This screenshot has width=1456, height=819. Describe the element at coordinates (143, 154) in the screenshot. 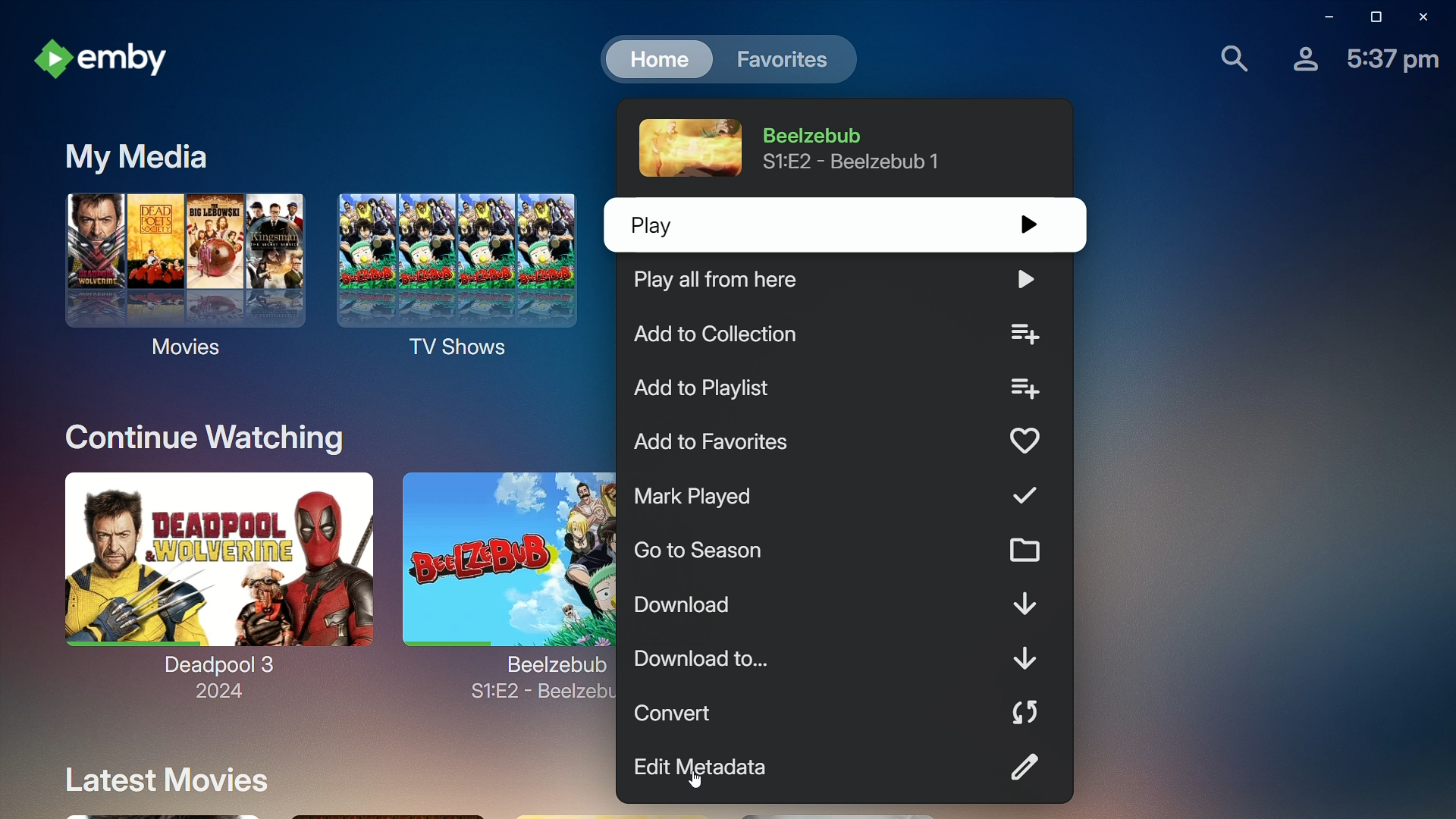

I see `My Media` at that location.